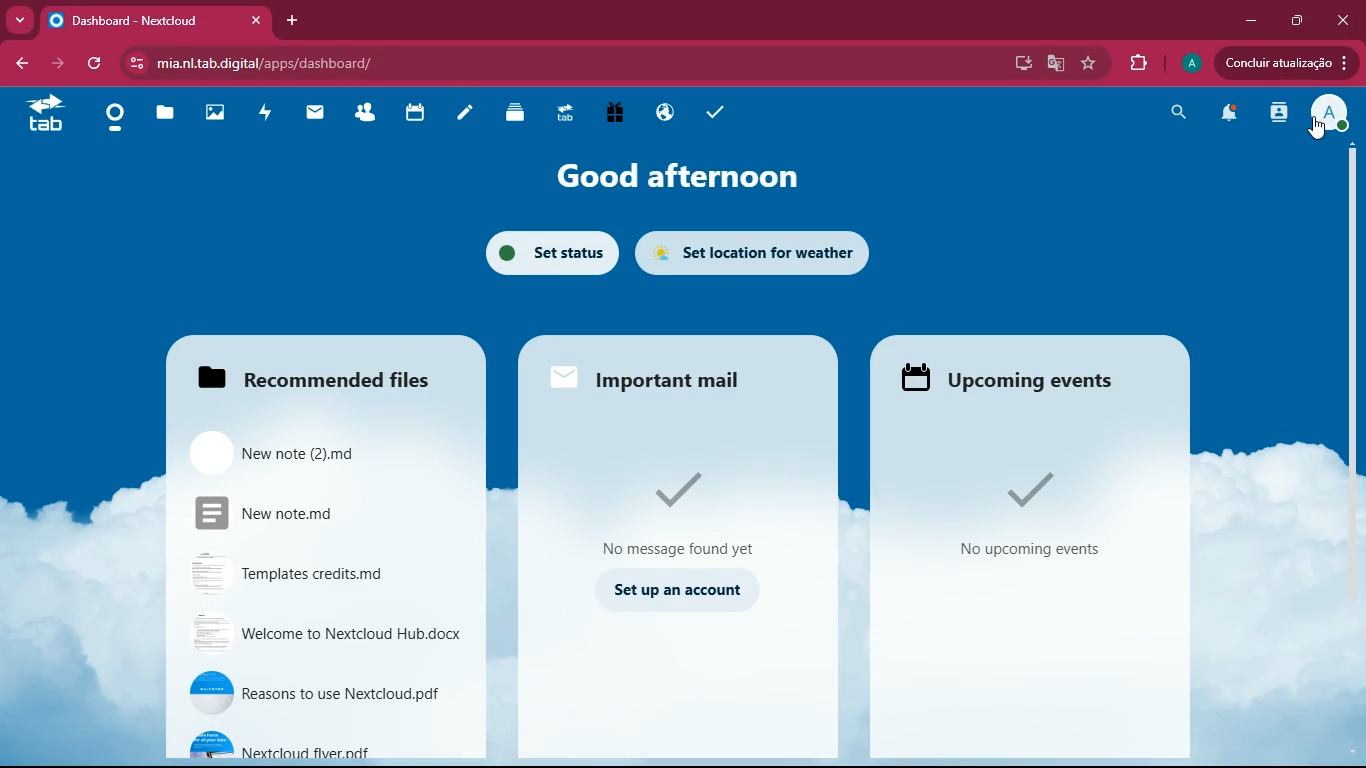 This screenshot has height=768, width=1366. Describe the element at coordinates (765, 248) in the screenshot. I see `set location for weather` at that location.